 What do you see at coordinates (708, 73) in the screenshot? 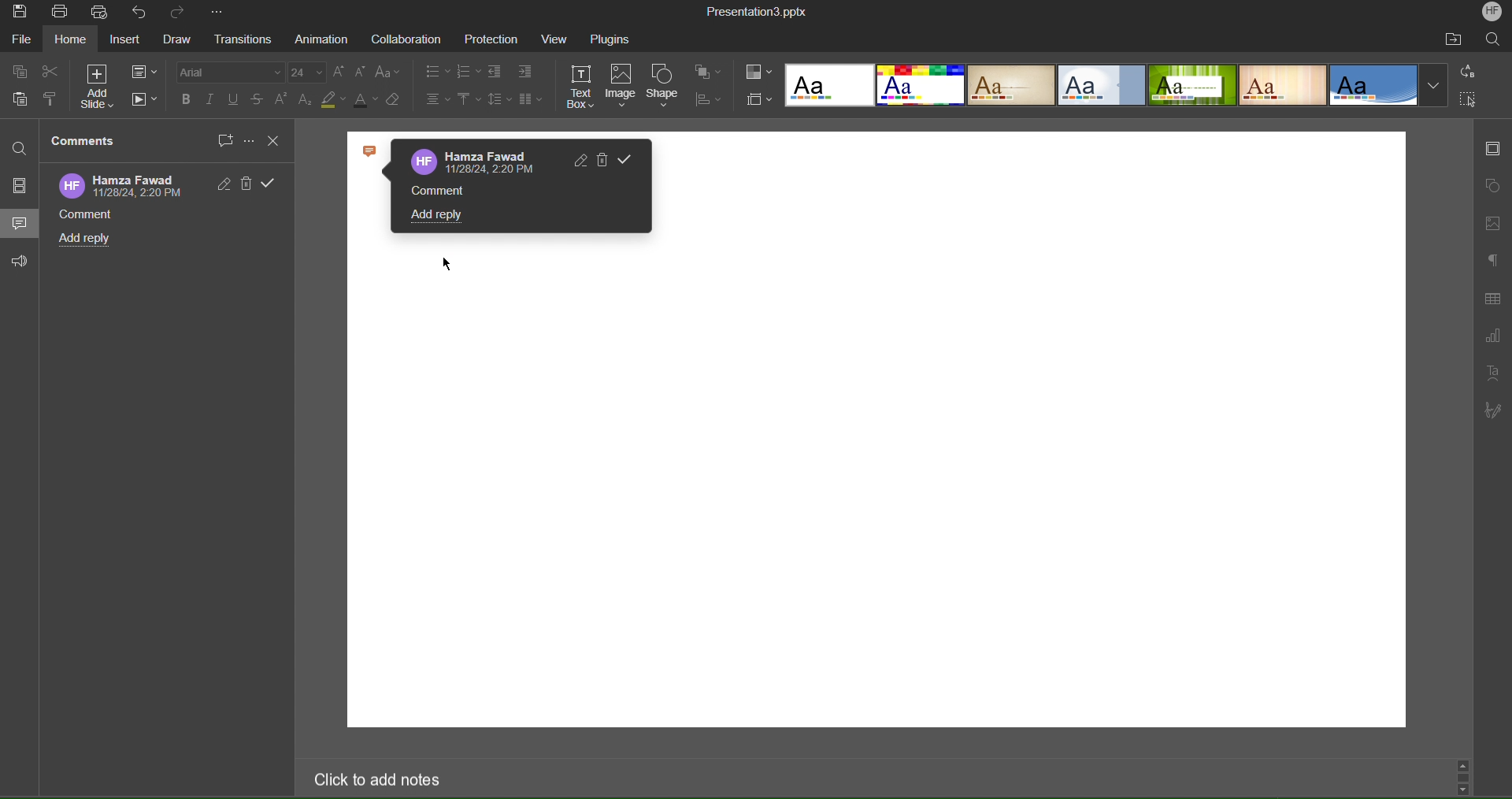
I see `Arrange` at bounding box center [708, 73].